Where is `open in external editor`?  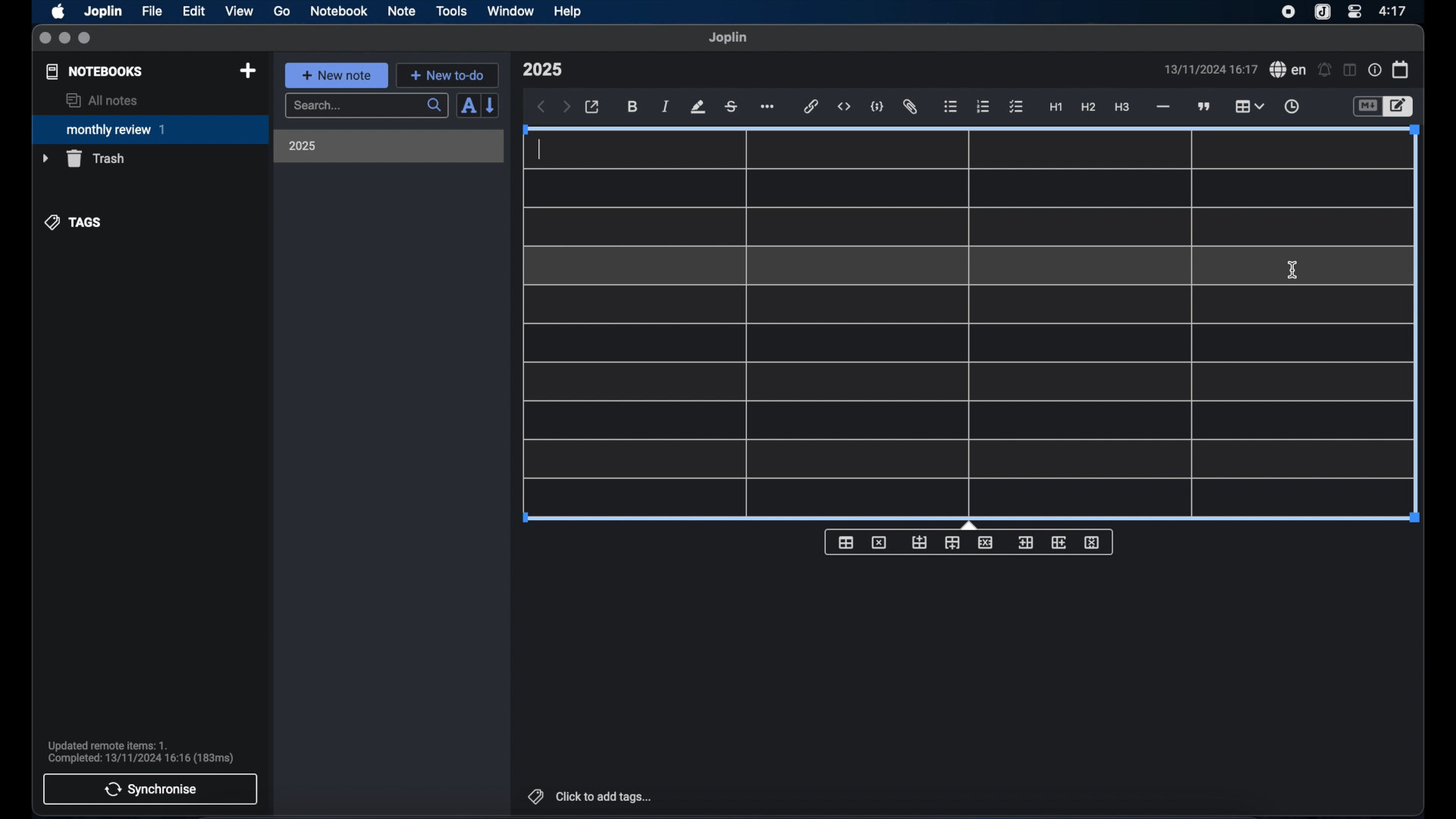 open in external editor is located at coordinates (593, 108).